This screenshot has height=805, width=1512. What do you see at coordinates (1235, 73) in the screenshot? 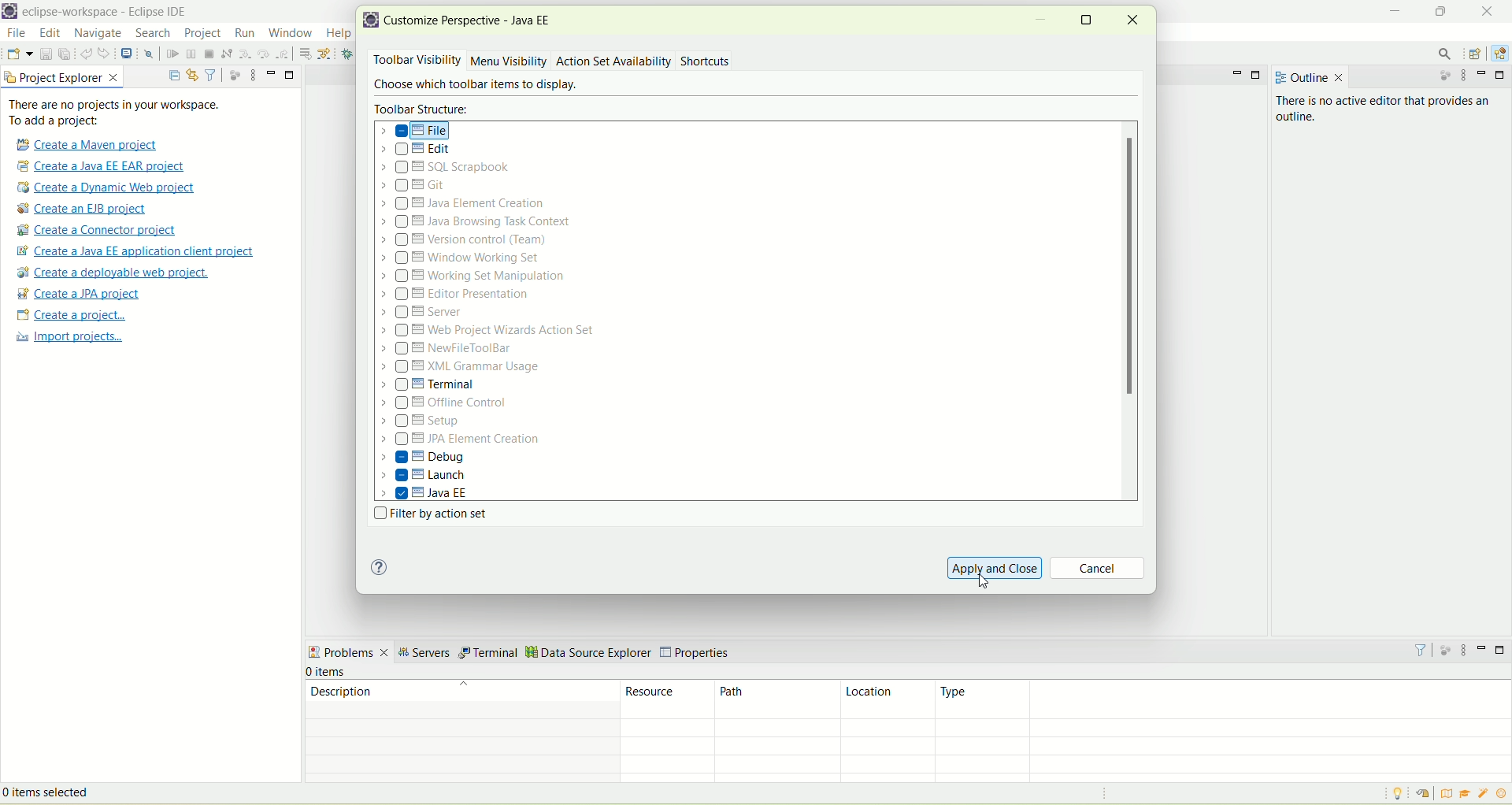
I see `minimize` at bounding box center [1235, 73].